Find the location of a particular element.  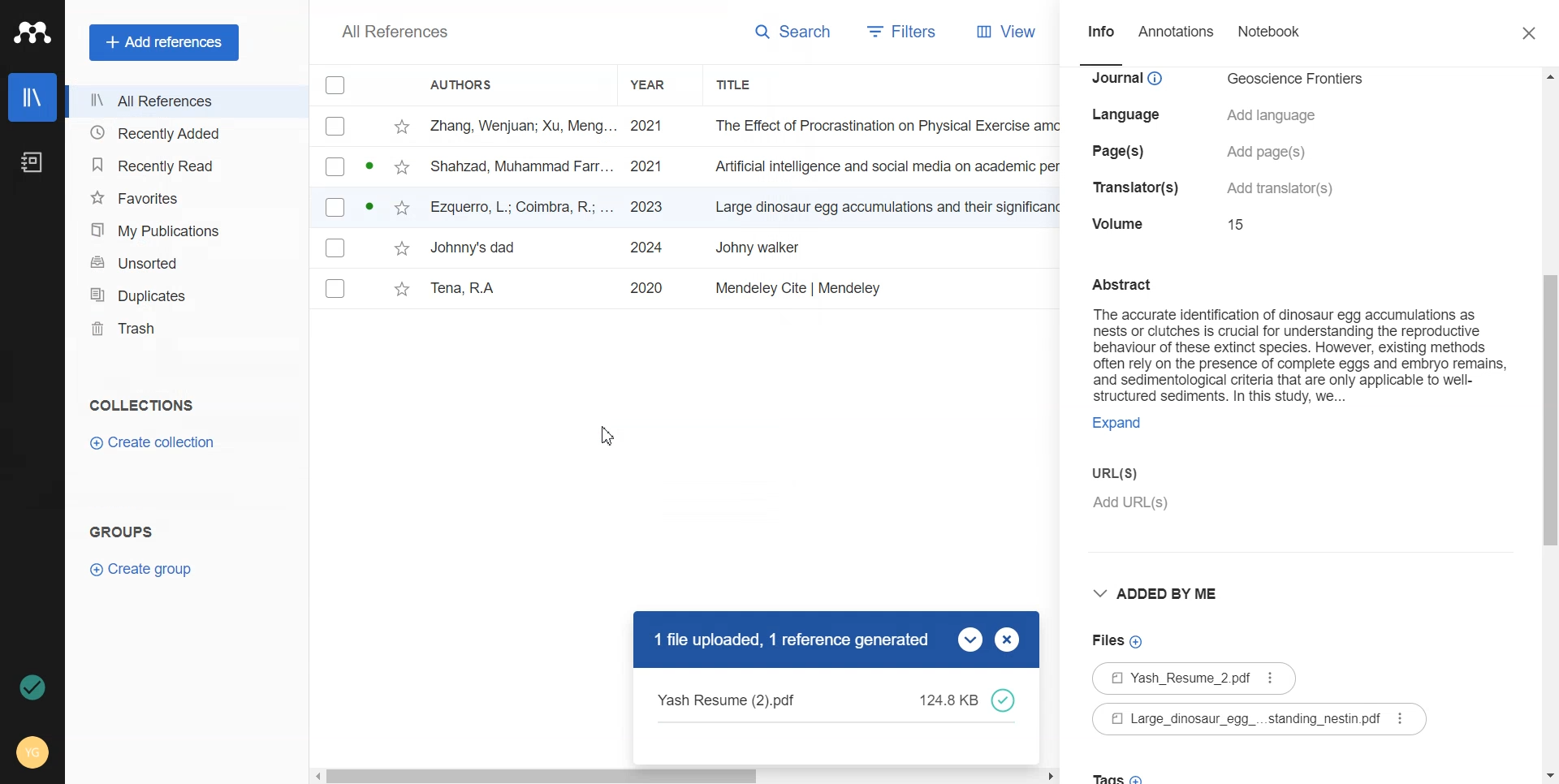

star is located at coordinates (403, 167).